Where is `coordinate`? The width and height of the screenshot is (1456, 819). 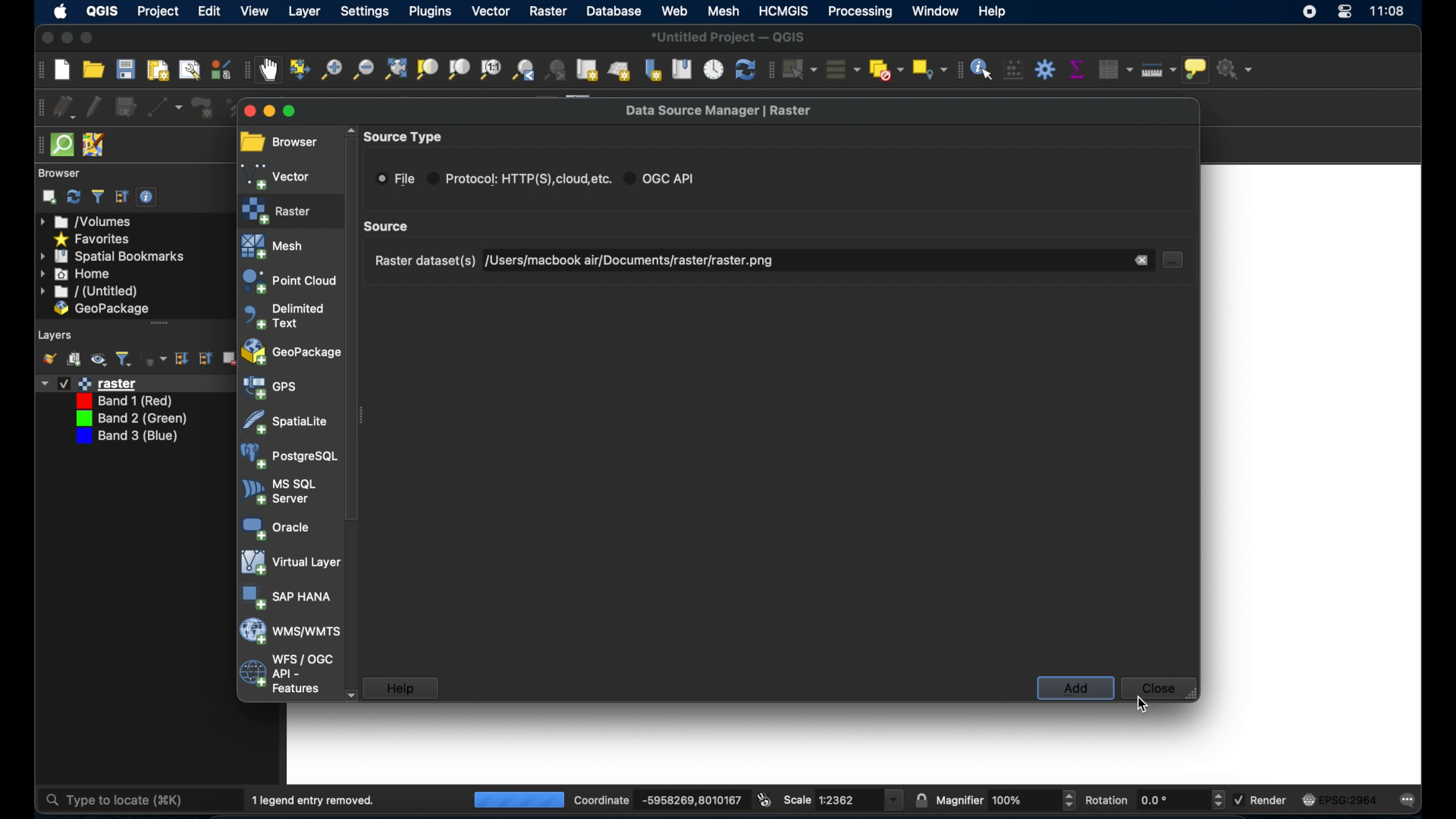 coordinate is located at coordinates (599, 799).